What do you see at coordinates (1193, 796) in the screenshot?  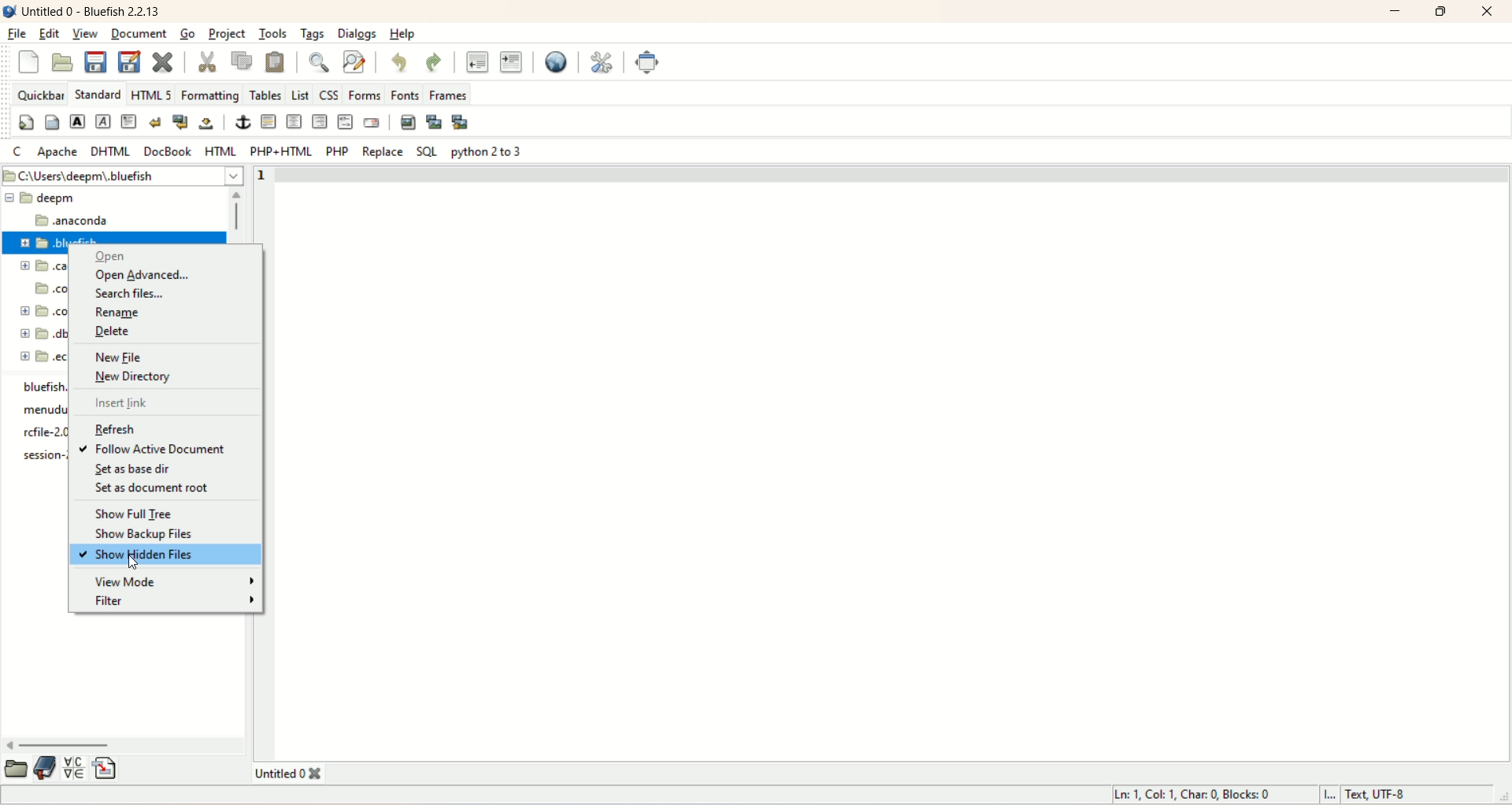 I see `ln, col, char, blocks` at bounding box center [1193, 796].